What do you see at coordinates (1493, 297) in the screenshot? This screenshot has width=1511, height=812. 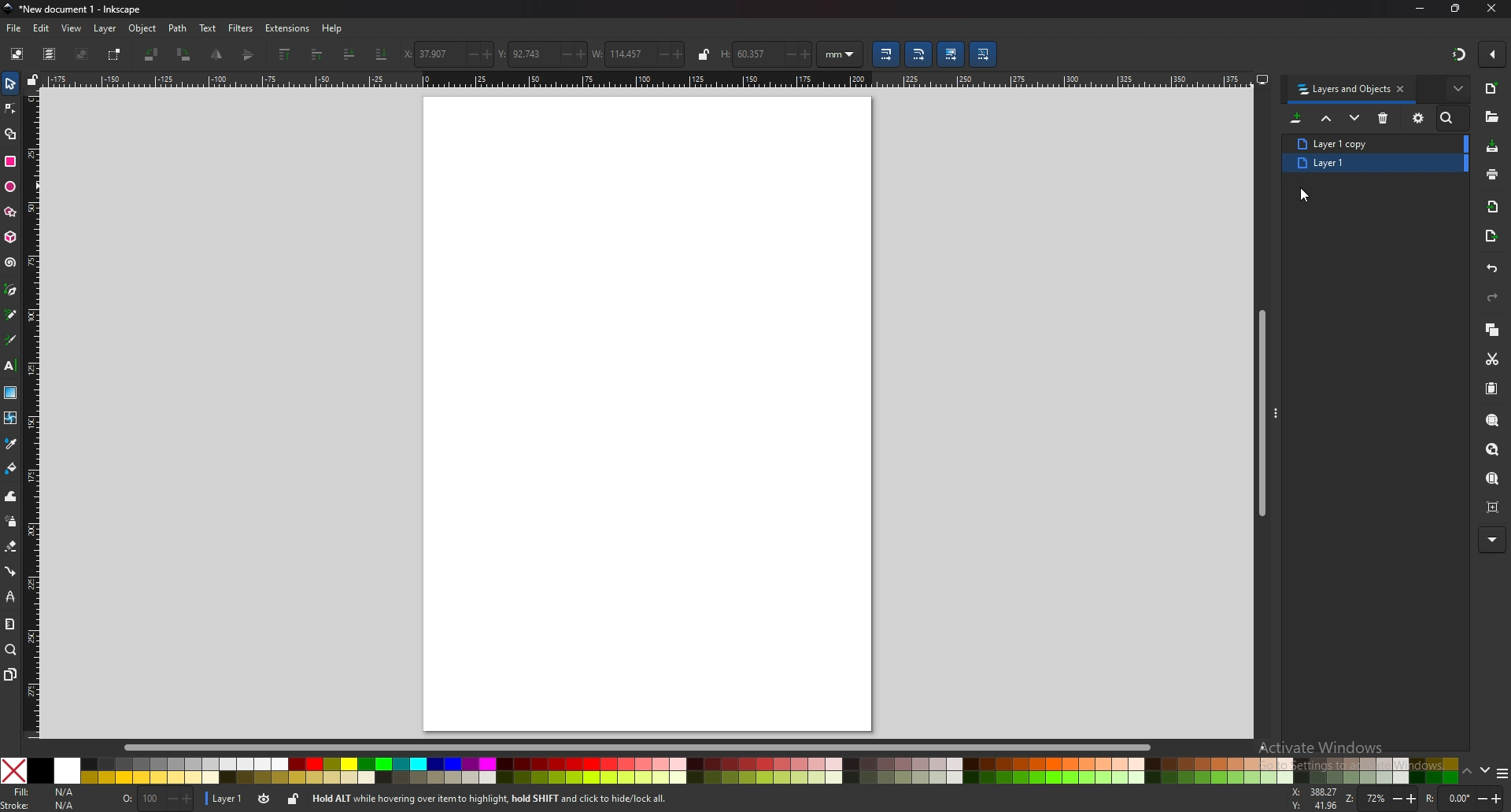 I see `redo` at bounding box center [1493, 297].